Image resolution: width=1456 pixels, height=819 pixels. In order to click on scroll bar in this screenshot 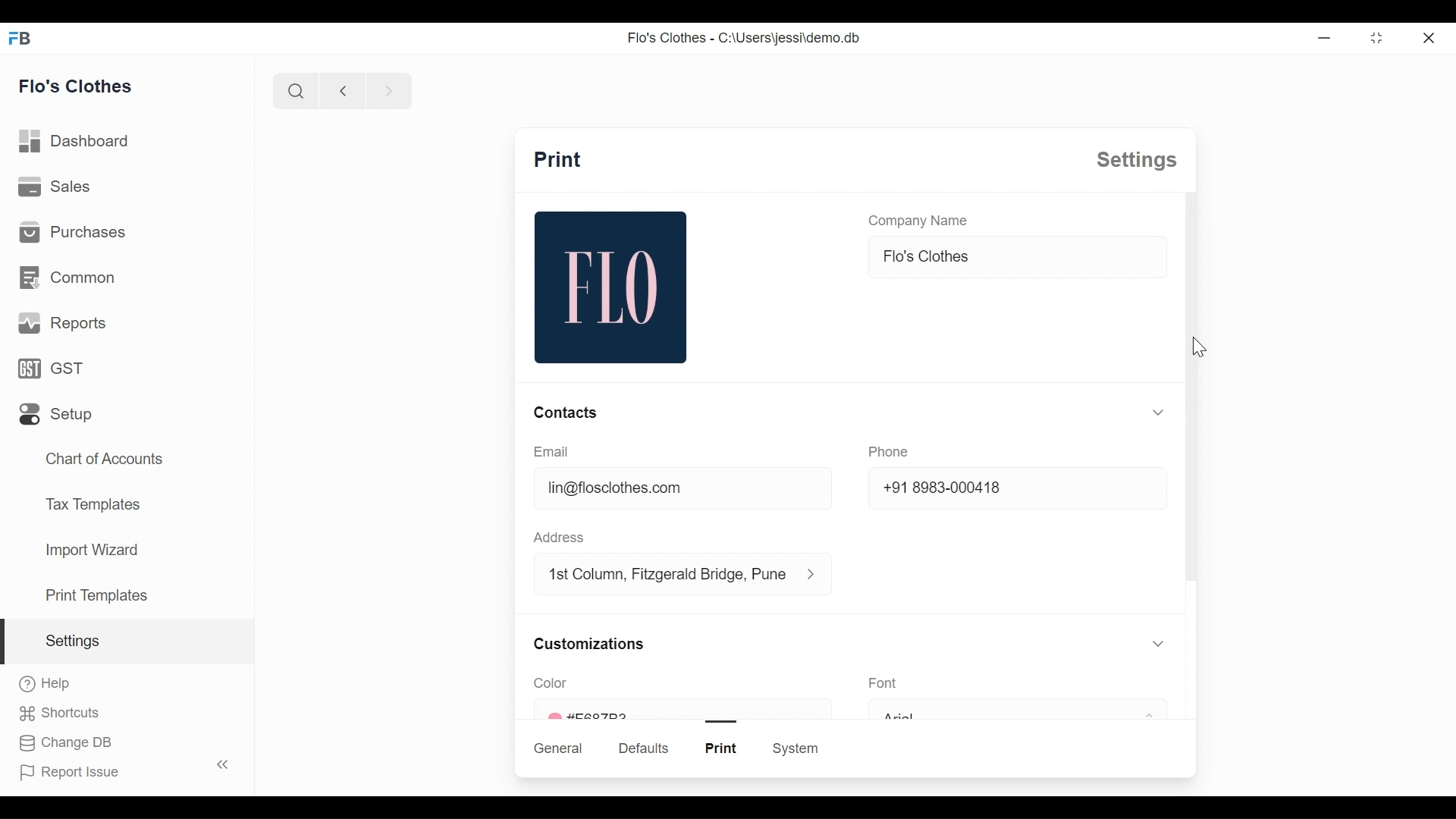, I will do `click(1191, 384)`.